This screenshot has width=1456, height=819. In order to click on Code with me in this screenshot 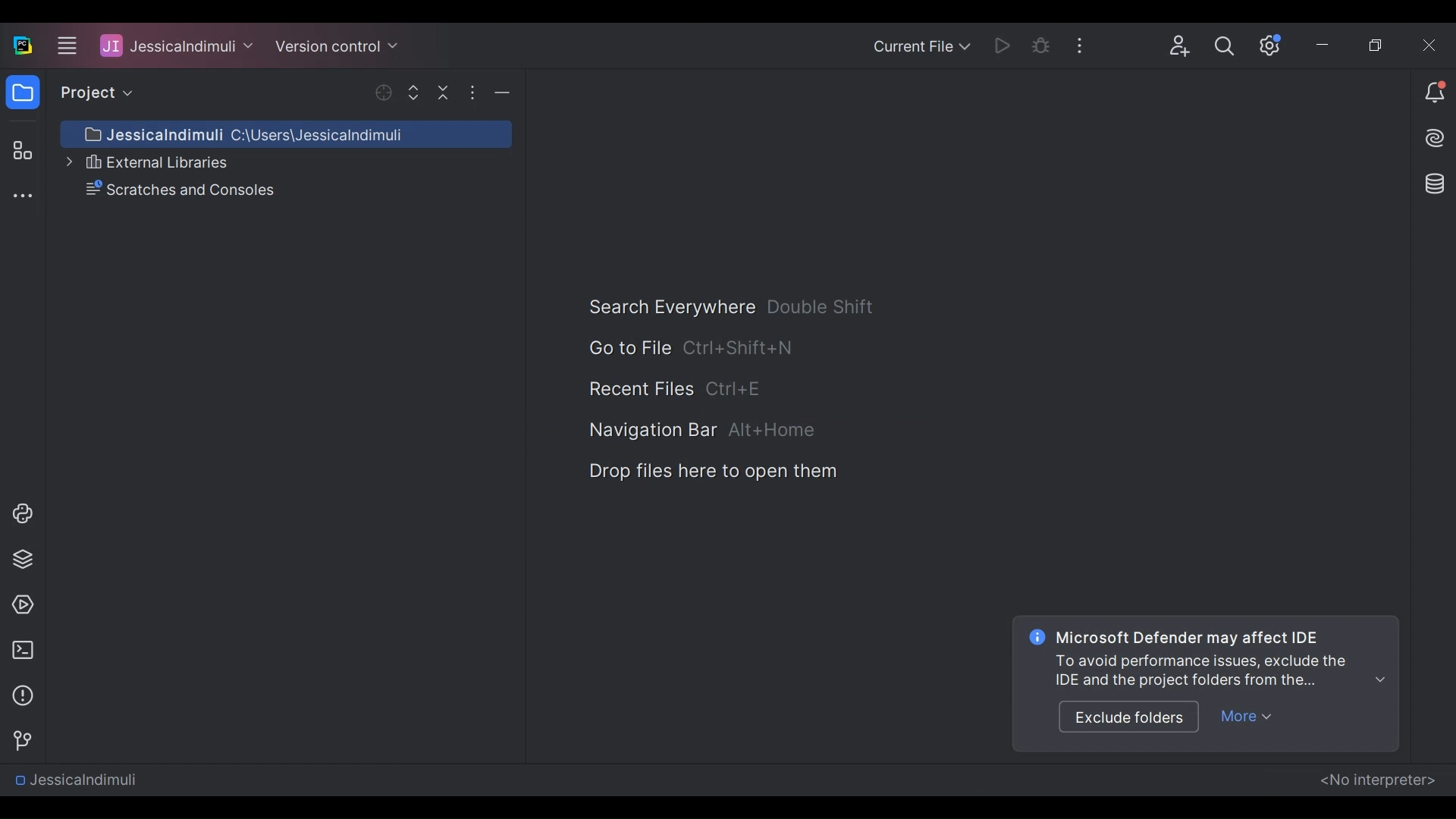, I will do `click(1181, 49)`.